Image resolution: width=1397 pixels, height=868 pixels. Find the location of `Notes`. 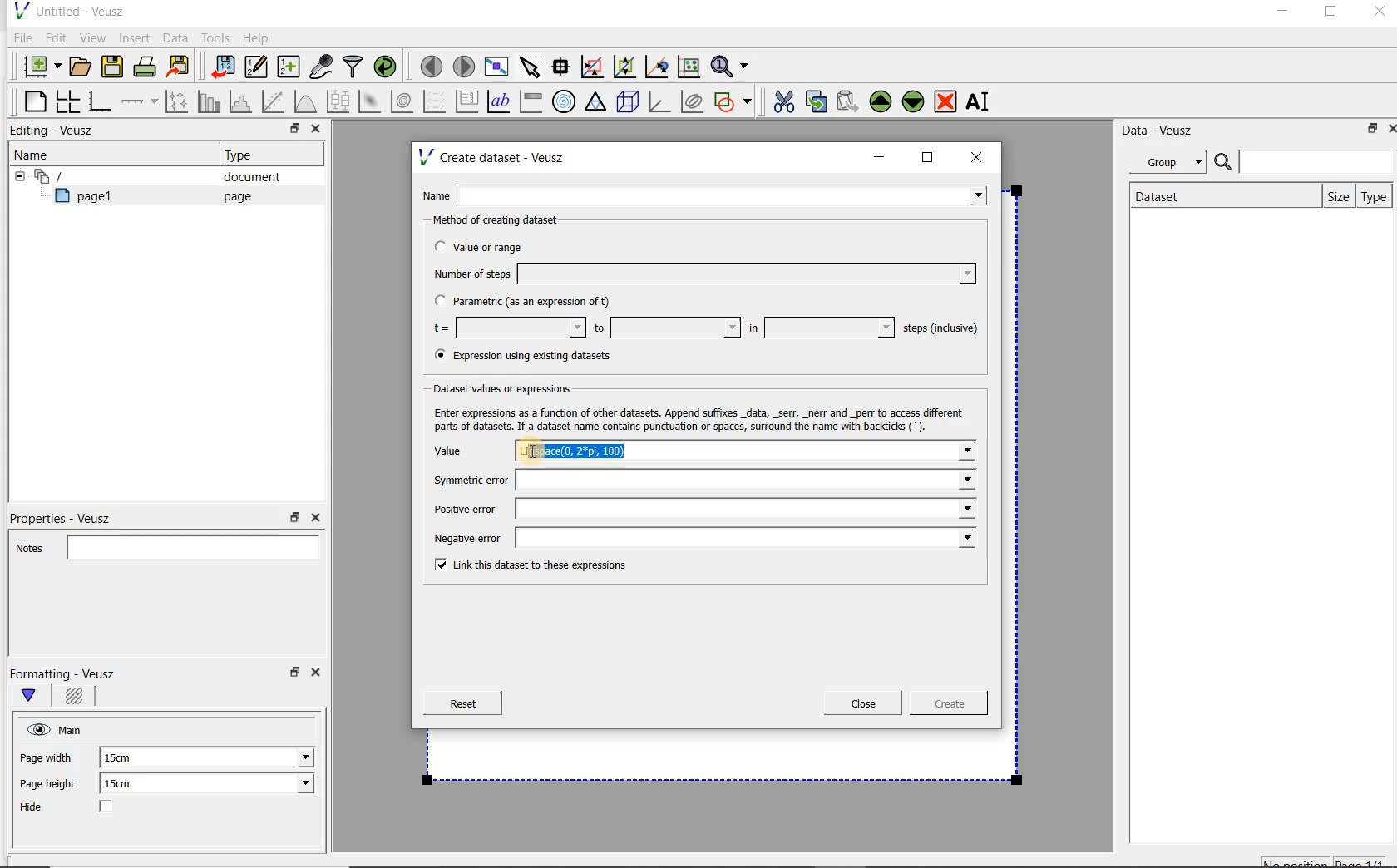

Notes is located at coordinates (162, 545).